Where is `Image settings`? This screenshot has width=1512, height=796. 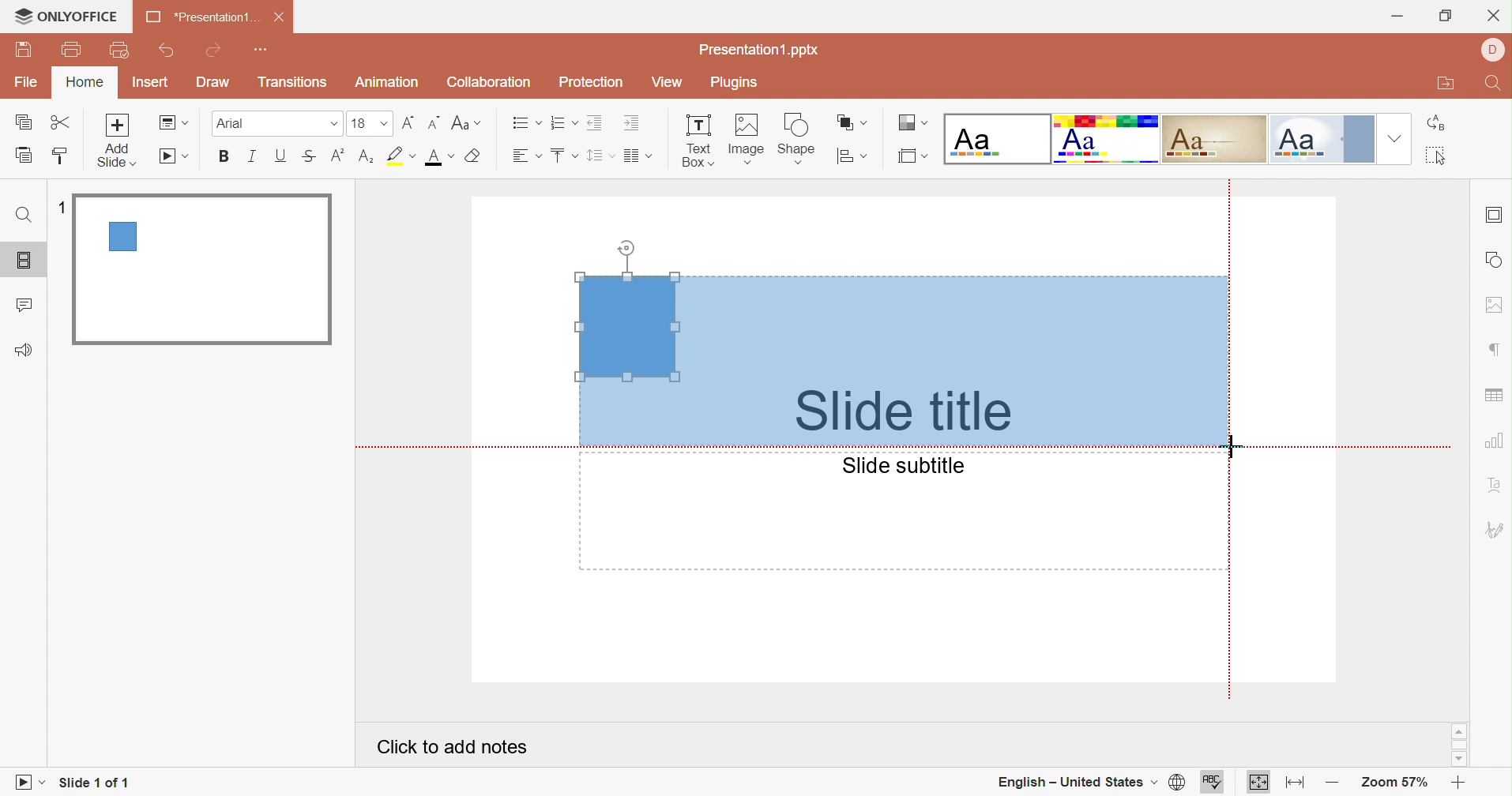 Image settings is located at coordinates (1493, 306).